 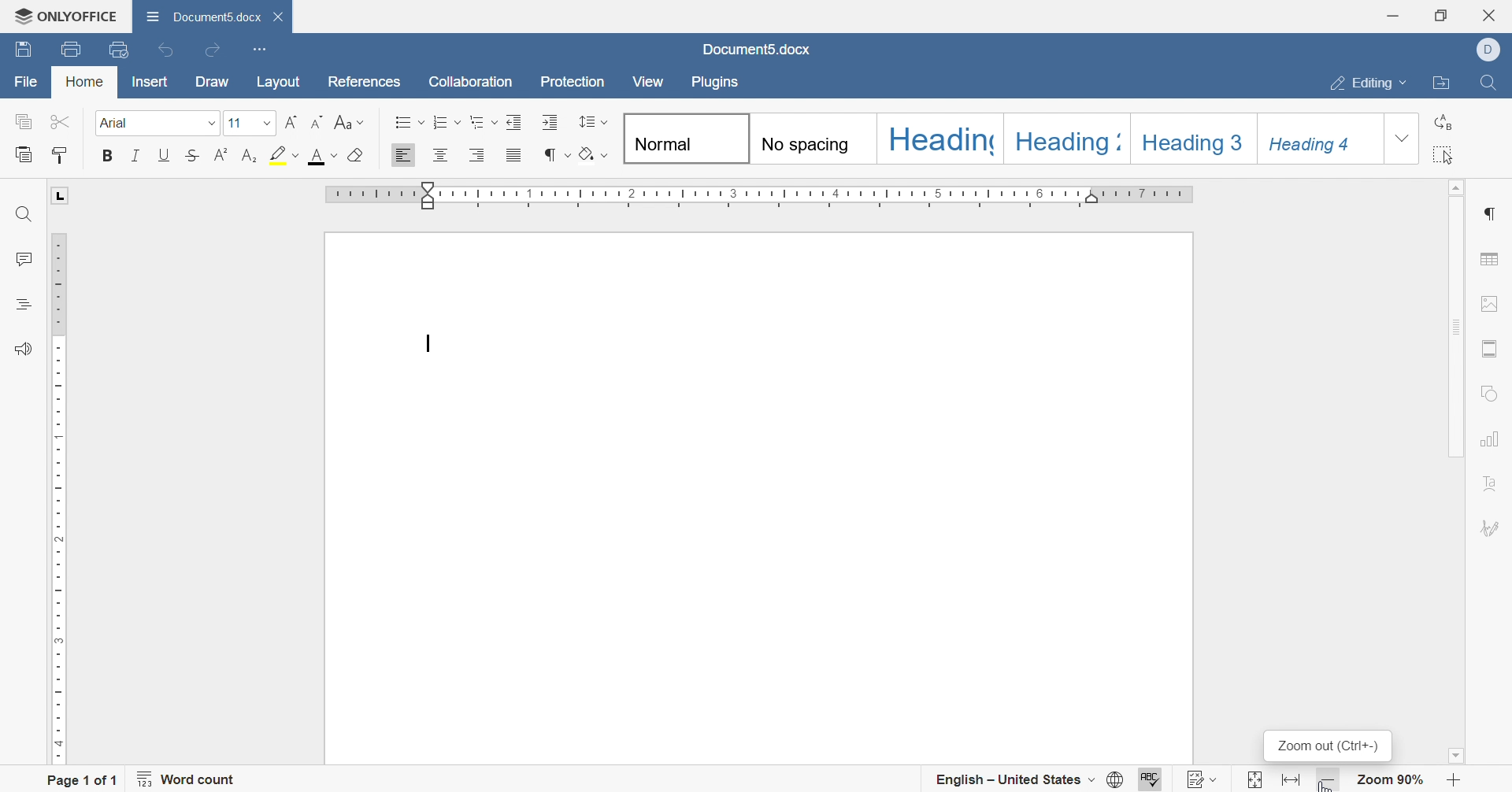 What do you see at coordinates (1492, 83) in the screenshot?
I see `find` at bounding box center [1492, 83].